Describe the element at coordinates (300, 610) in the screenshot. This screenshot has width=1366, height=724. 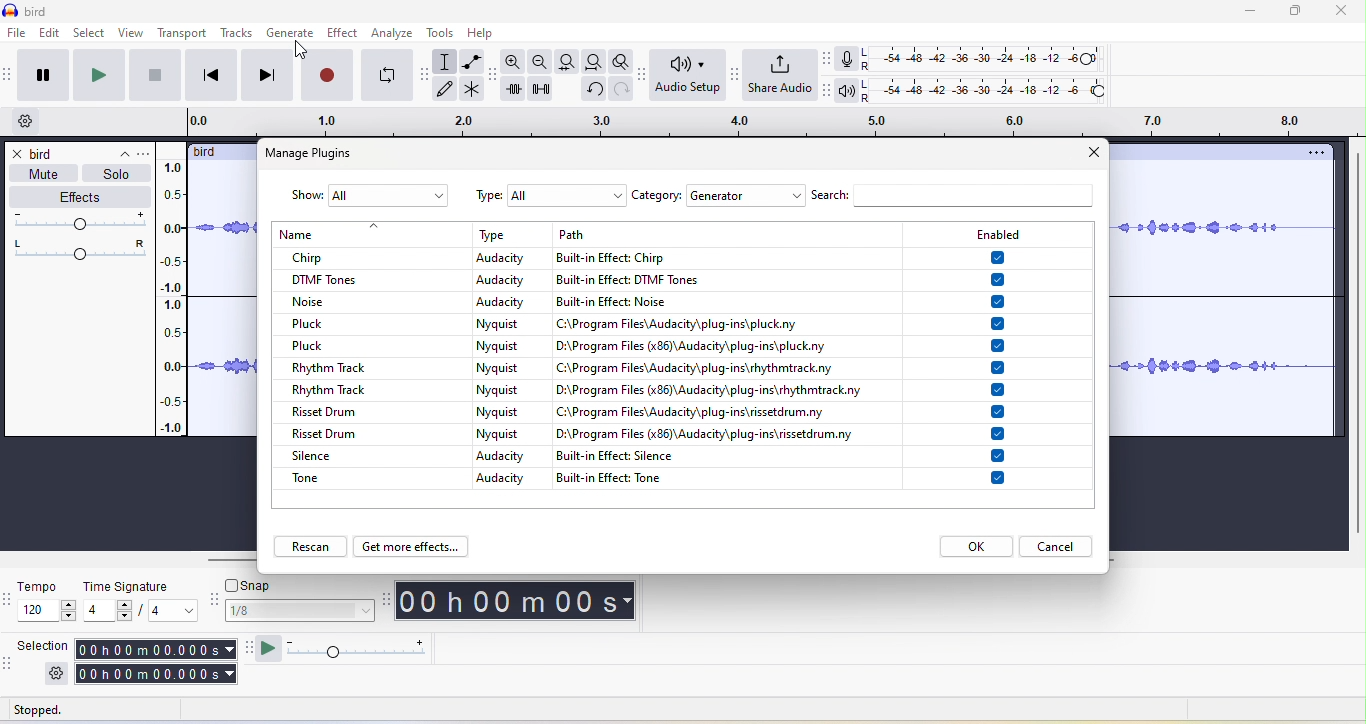
I see `1/8` at that location.